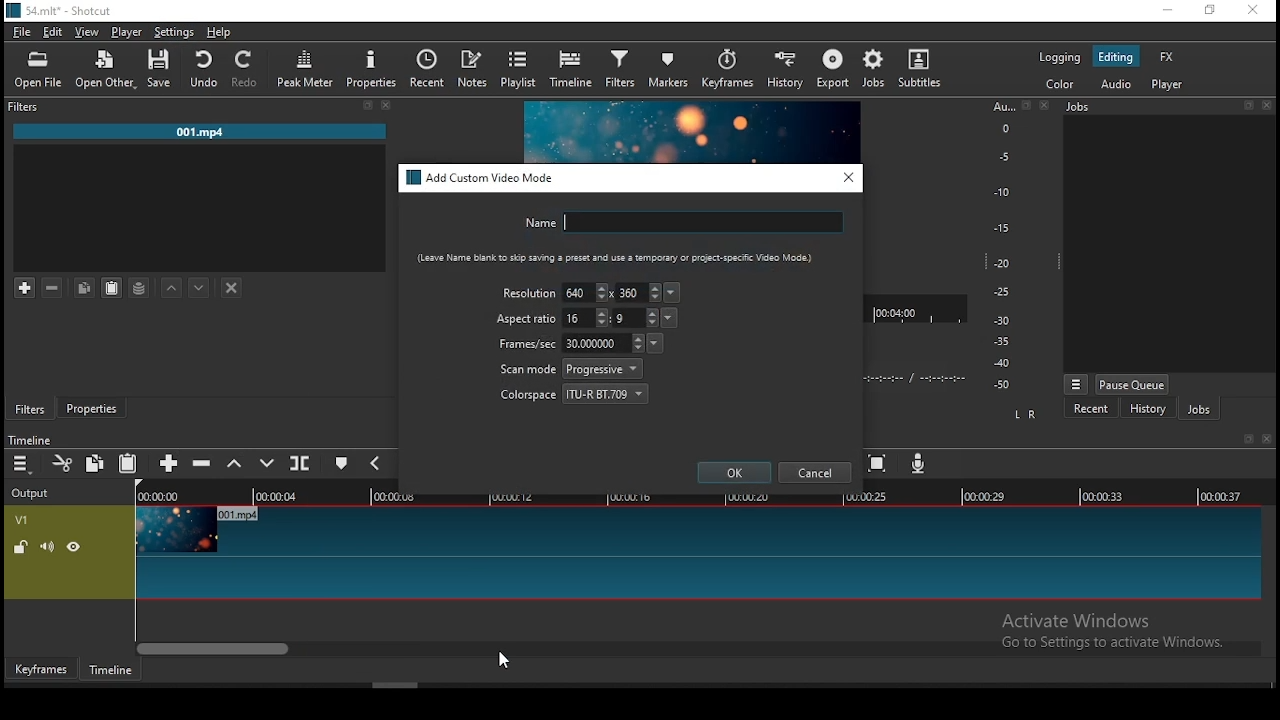 The height and width of the screenshot is (720, 1280). Describe the element at coordinates (33, 494) in the screenshot. I see `output` at that location.